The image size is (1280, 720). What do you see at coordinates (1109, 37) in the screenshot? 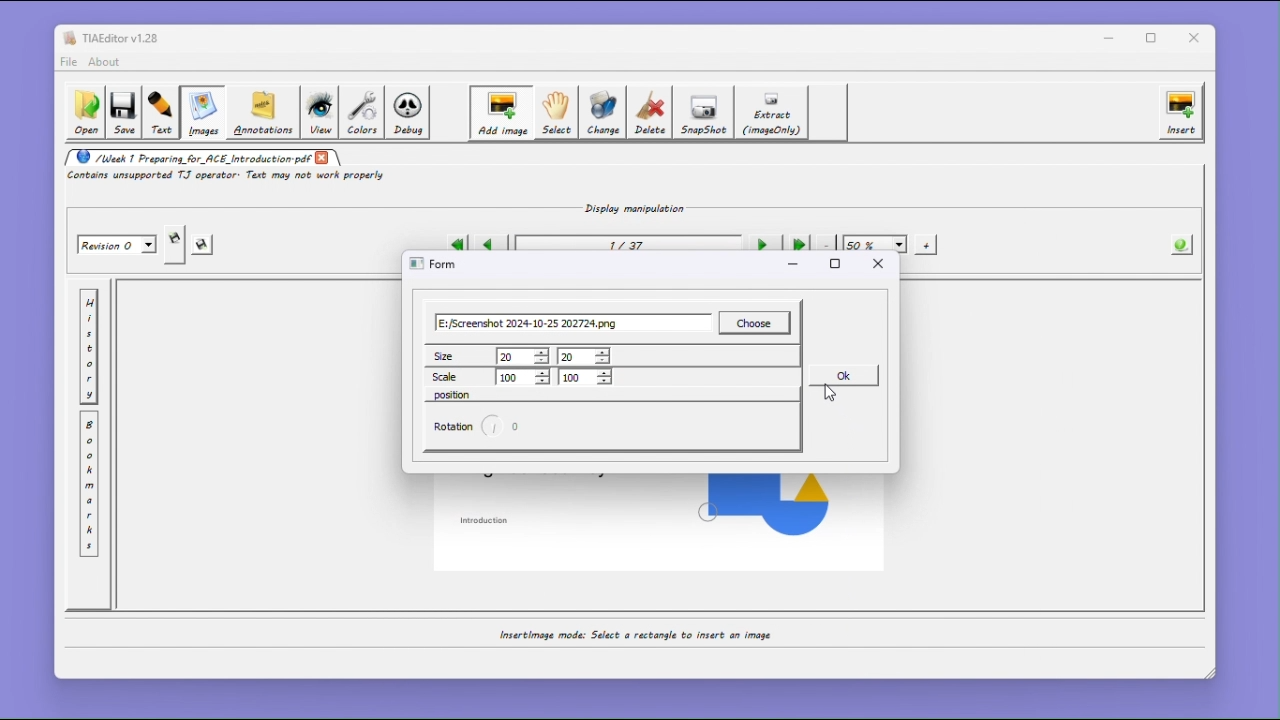
I see `minimize ` at bounding box center [1109, 37].